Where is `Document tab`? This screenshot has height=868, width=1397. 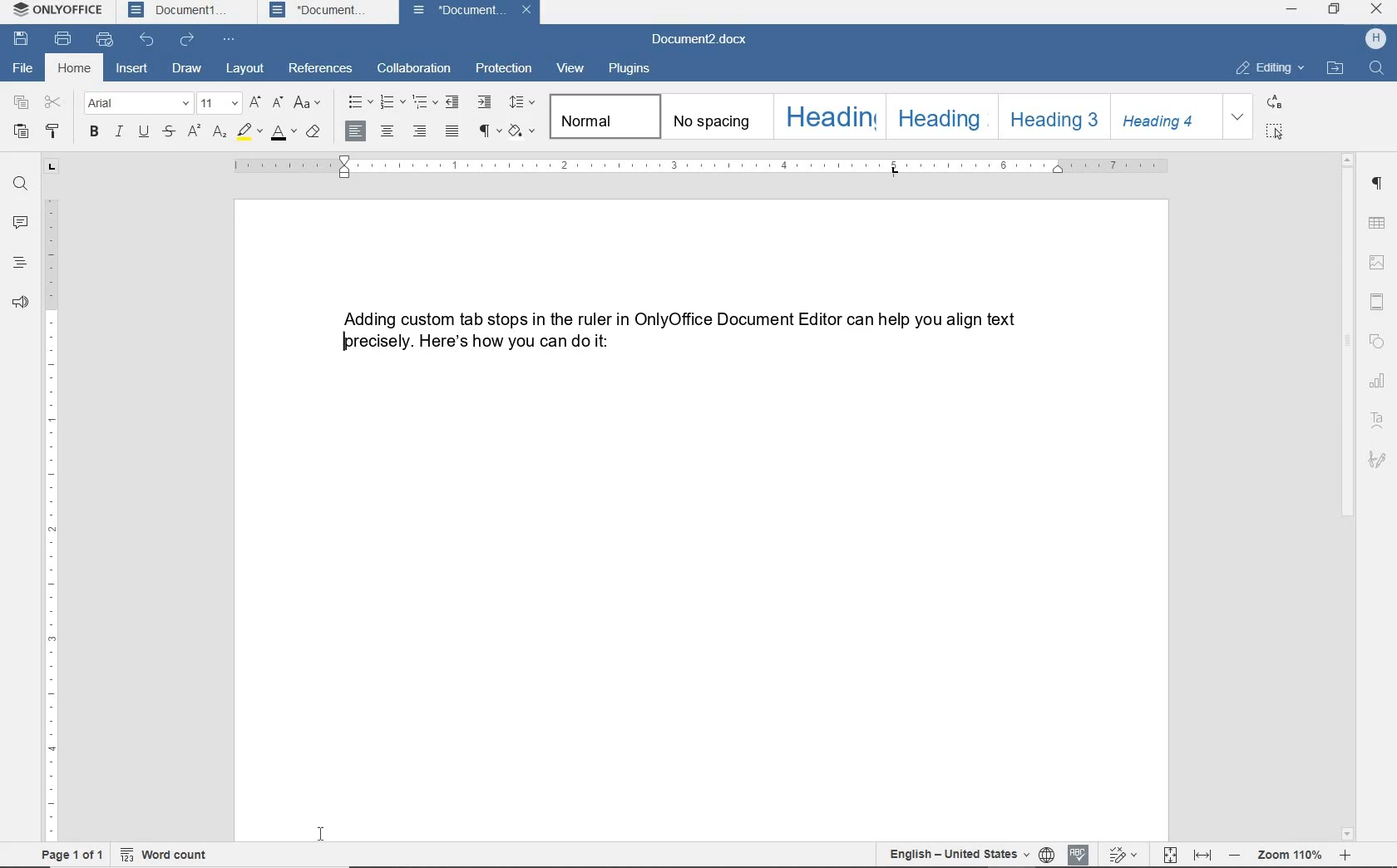
Document tab is located at coordinates (322, 11).